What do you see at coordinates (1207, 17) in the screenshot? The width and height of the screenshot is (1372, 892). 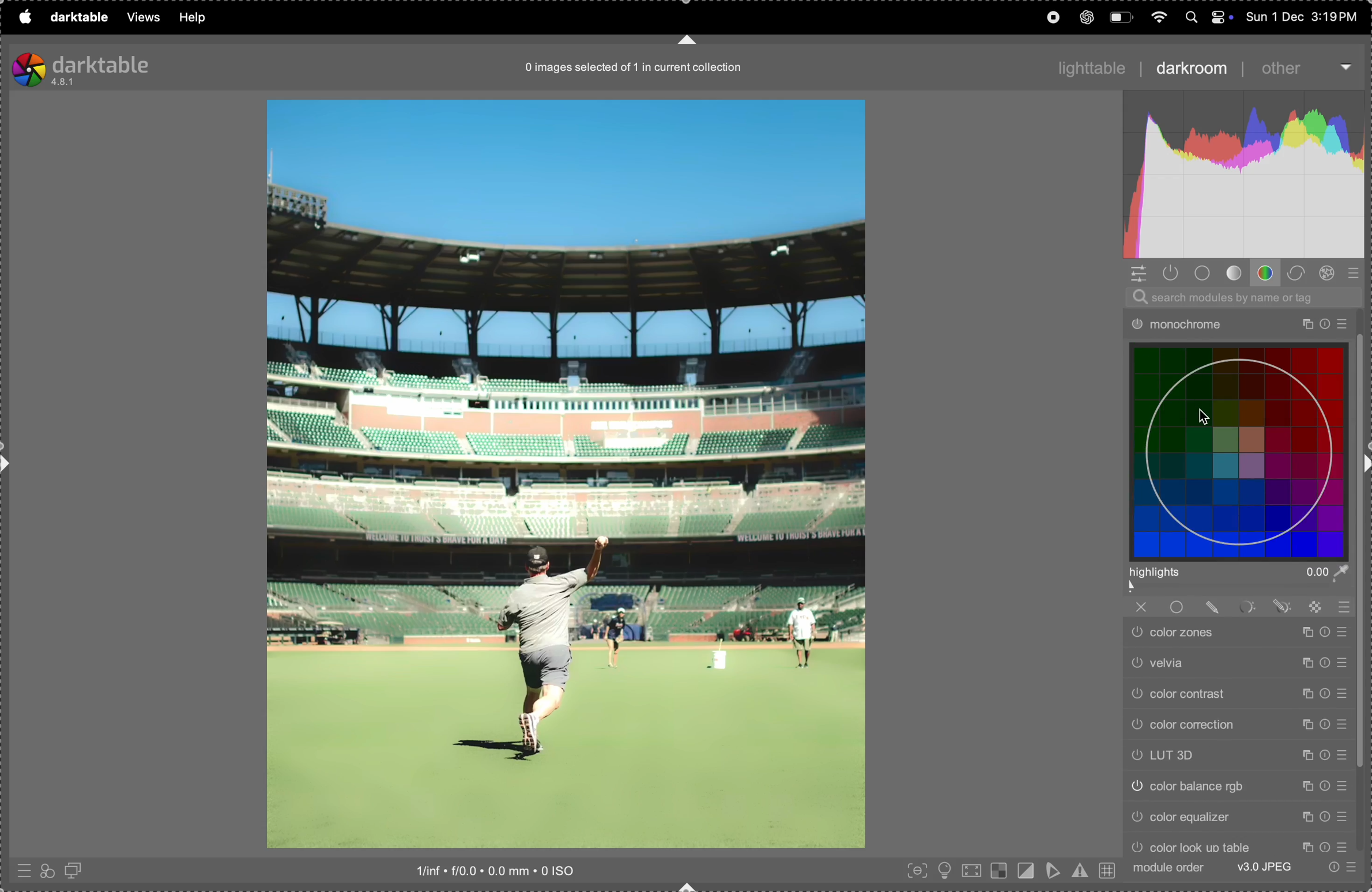 I see `apple widgets` at bounding box center [1207, 17].